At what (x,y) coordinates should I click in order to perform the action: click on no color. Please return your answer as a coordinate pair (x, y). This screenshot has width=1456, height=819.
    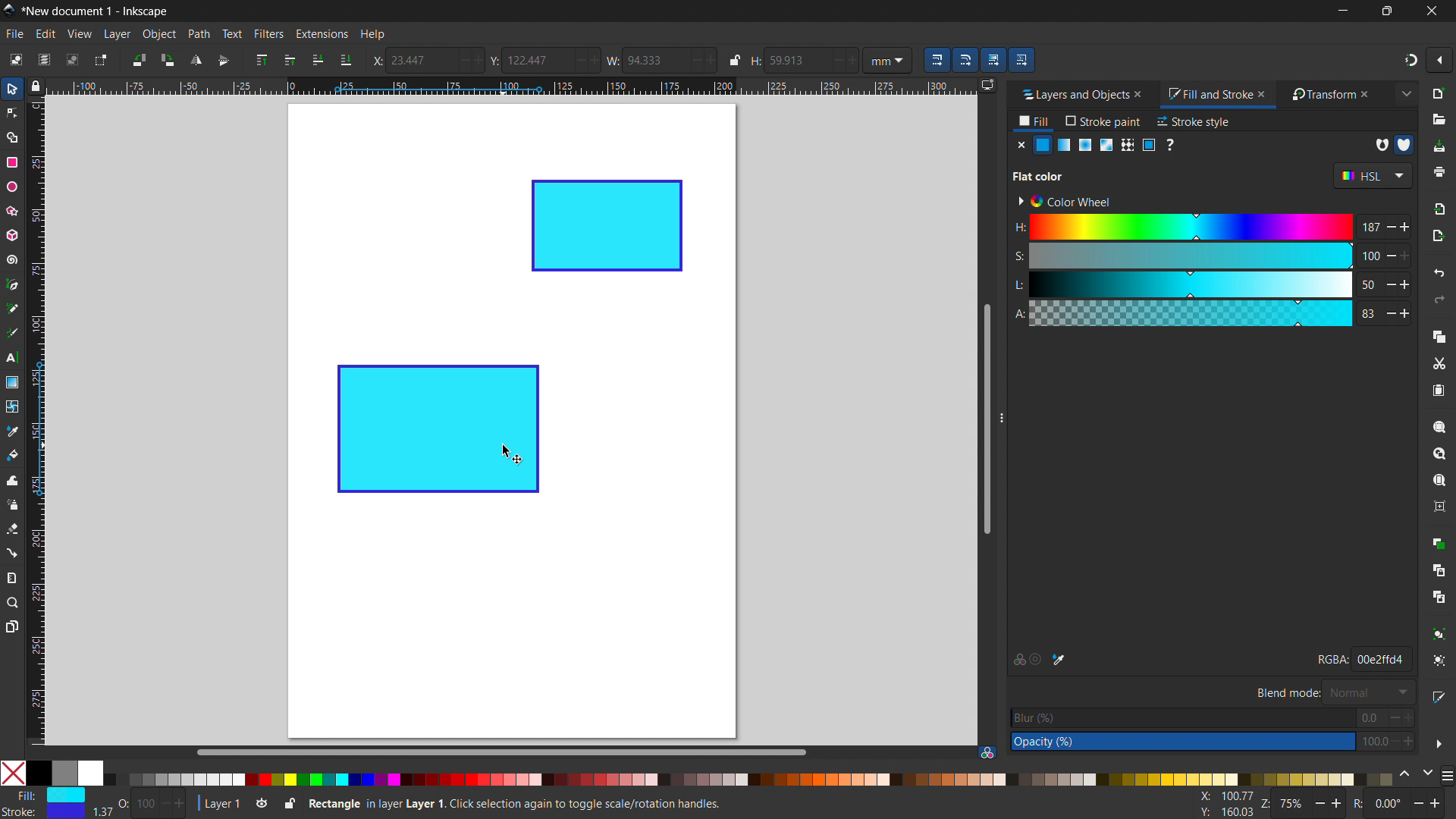
    Looking at the image, I should click on (1021, 144).